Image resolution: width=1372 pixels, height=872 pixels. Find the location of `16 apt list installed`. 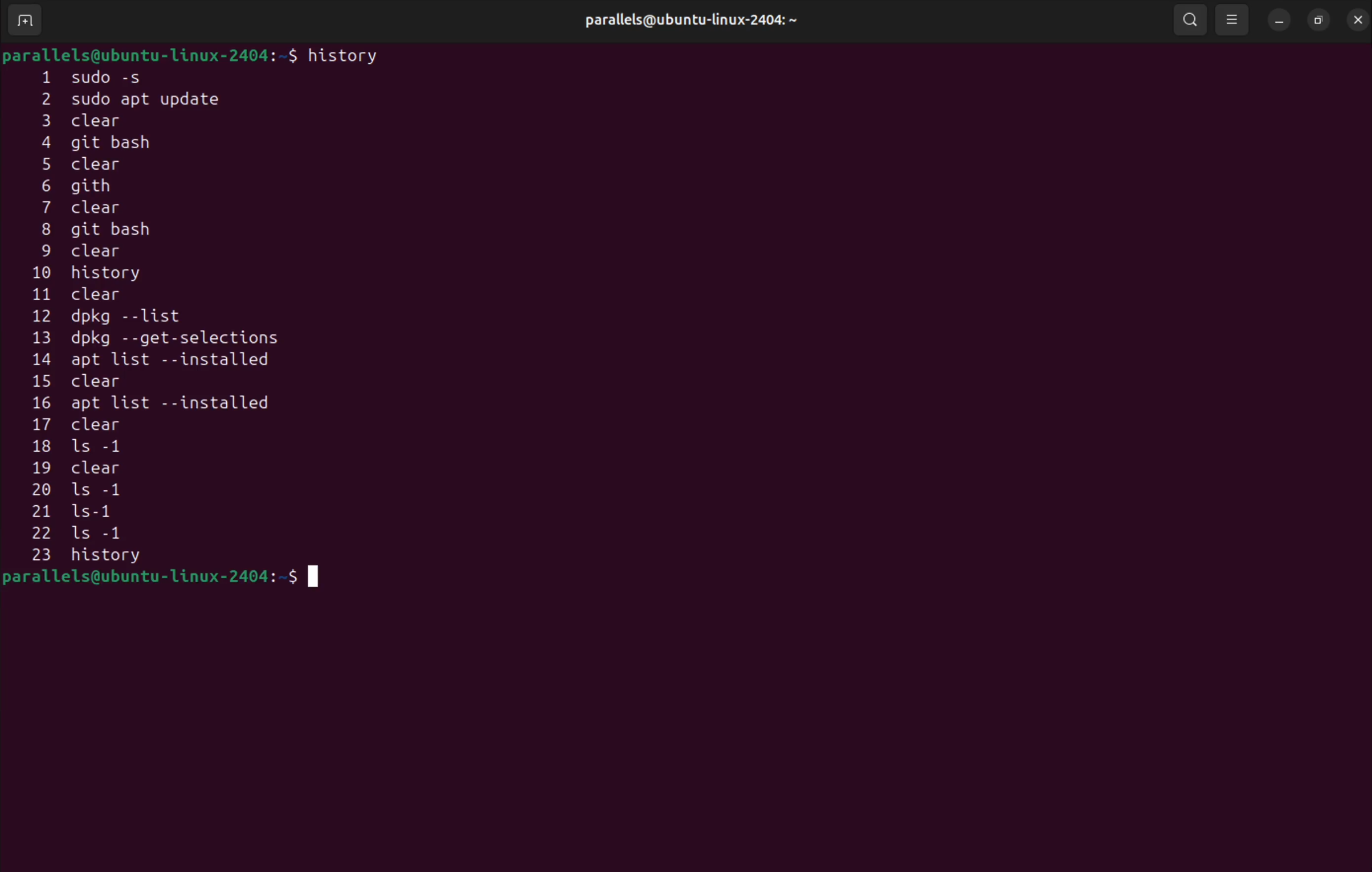

16 apt list installed is located at coordinates (151, 404).